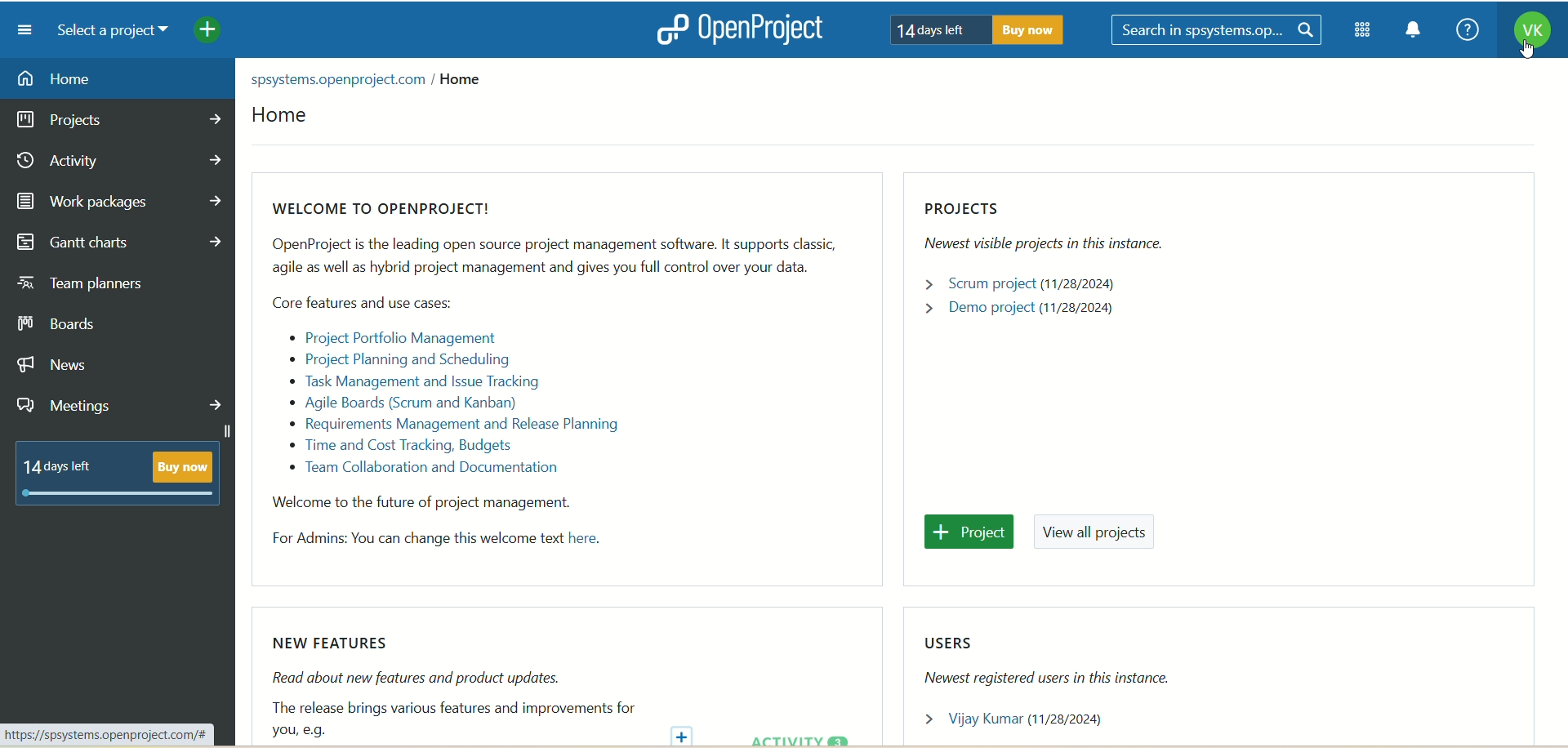 The height and width of the screenshot is (748, 1568). Describe the element at coordinates (371, 77) in the screenshot. I see `text` at that location.